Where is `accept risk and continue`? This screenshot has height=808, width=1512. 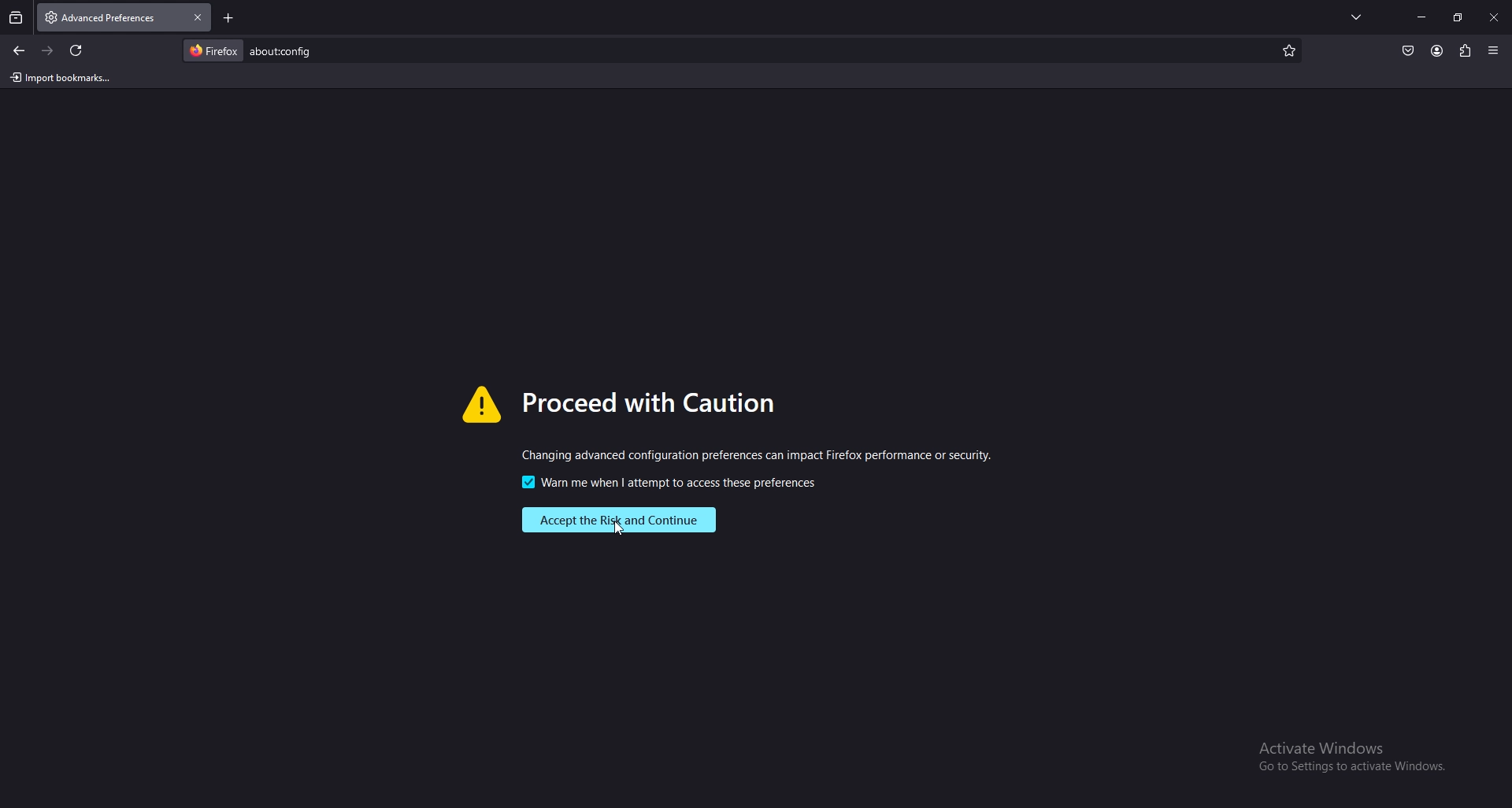 accept risk and continue is located at coordinates (620, 520).